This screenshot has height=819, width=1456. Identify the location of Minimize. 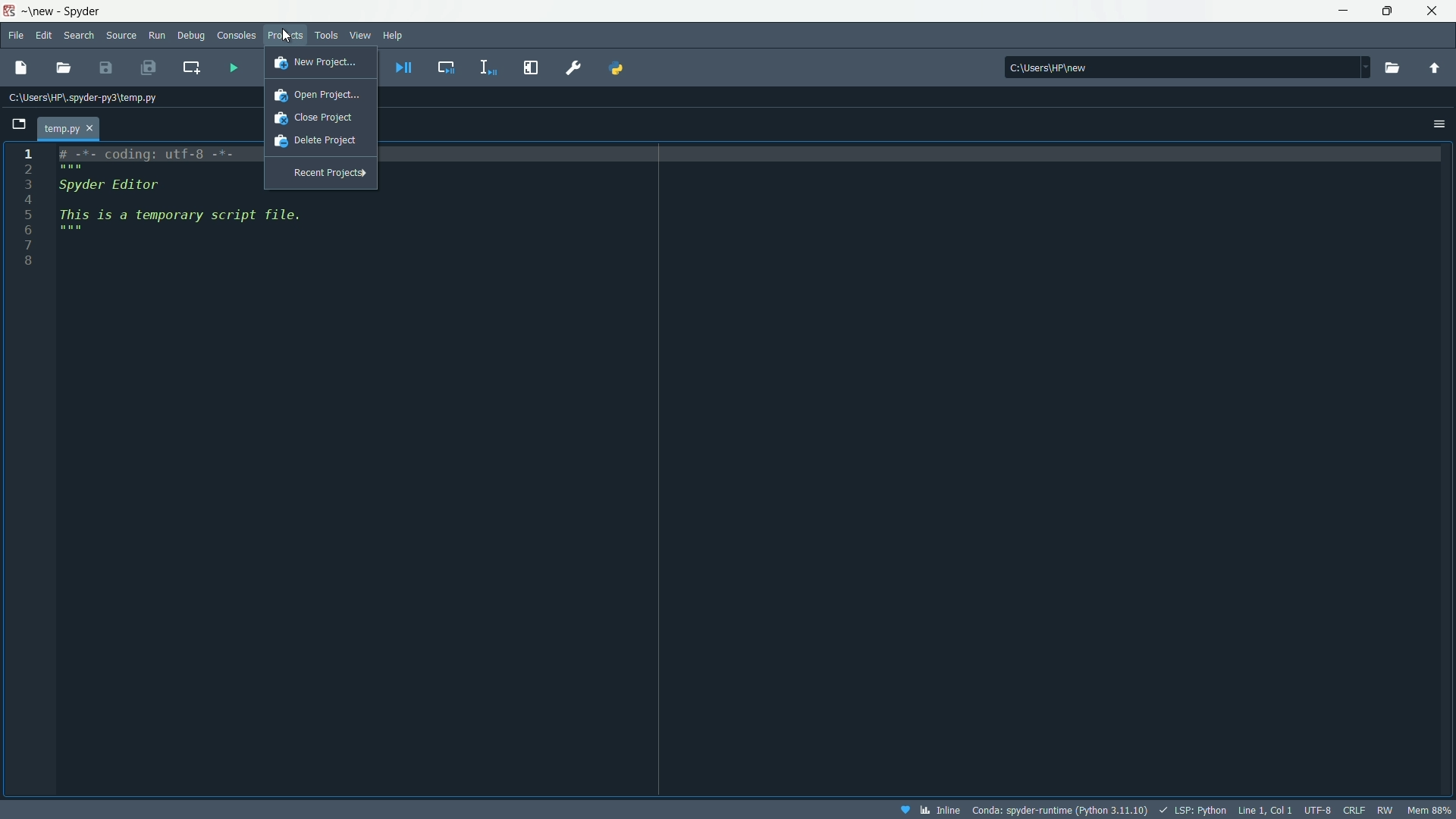
(1339, 11).